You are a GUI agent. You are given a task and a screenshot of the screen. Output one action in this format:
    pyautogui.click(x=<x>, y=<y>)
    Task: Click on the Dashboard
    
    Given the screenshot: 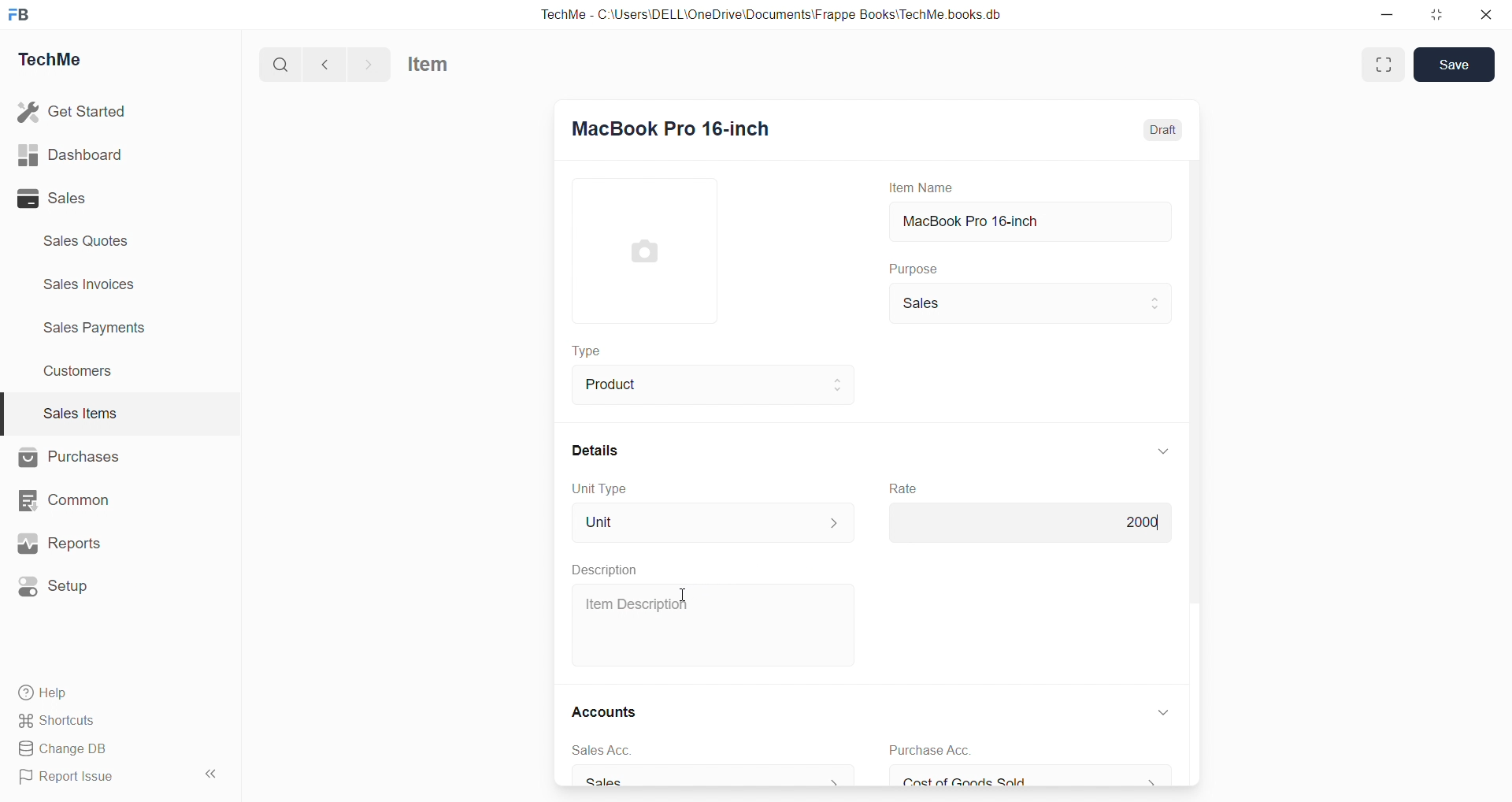 What is the action you would take?
    pyautogui.click(x=71, y=154)
    